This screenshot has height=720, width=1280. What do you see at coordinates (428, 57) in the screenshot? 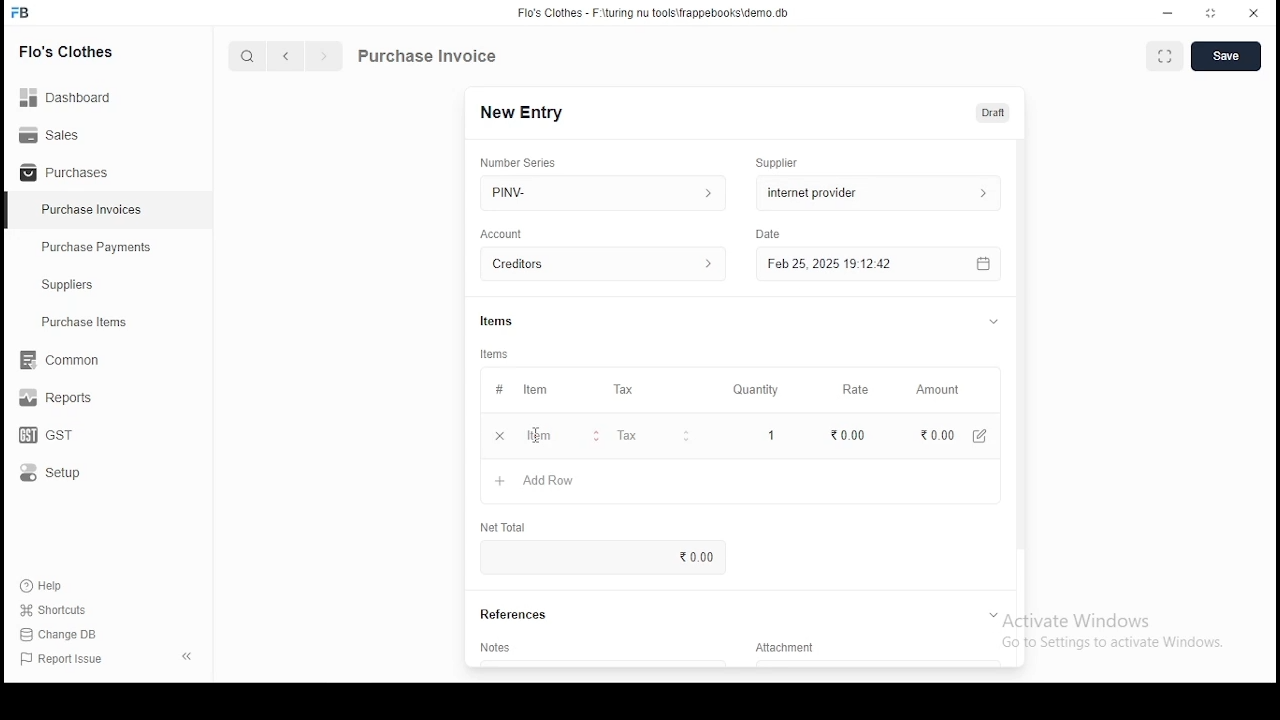
I see `purchase information` at bounding box center [428, 57].